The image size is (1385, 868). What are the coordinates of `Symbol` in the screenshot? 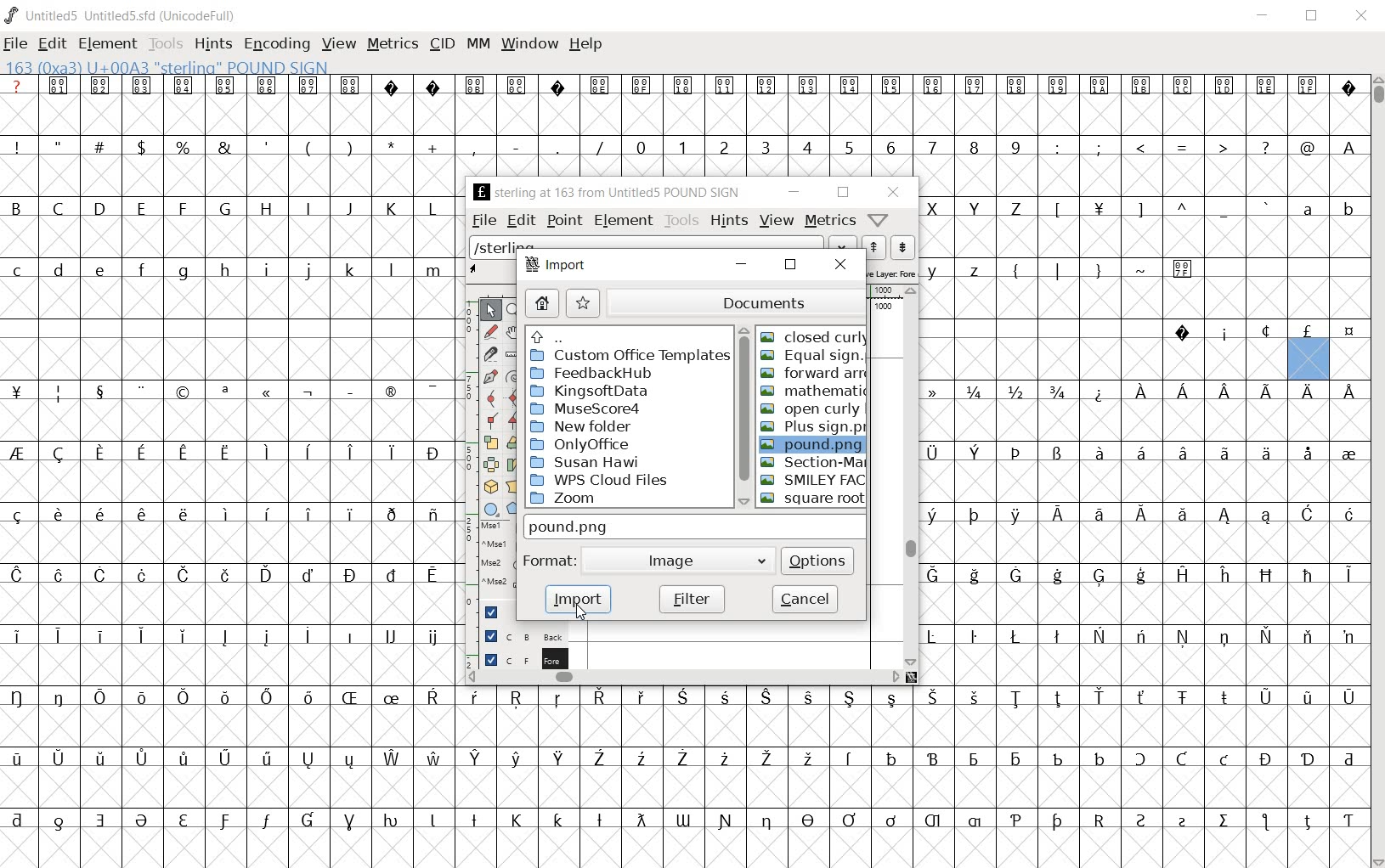 It's located at (184, 575).